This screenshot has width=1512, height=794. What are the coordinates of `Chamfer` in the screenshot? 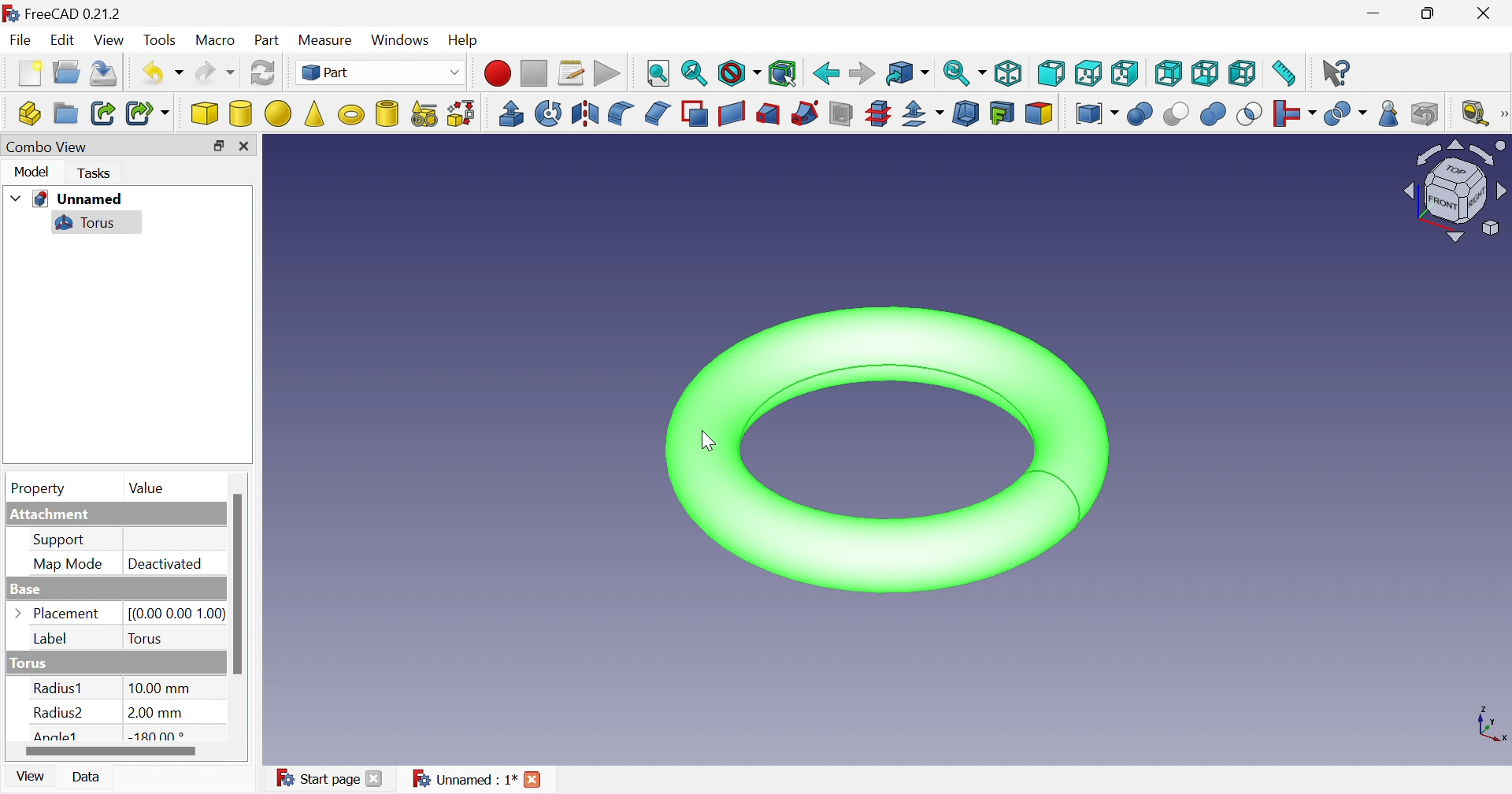 It's located at (655, 114).